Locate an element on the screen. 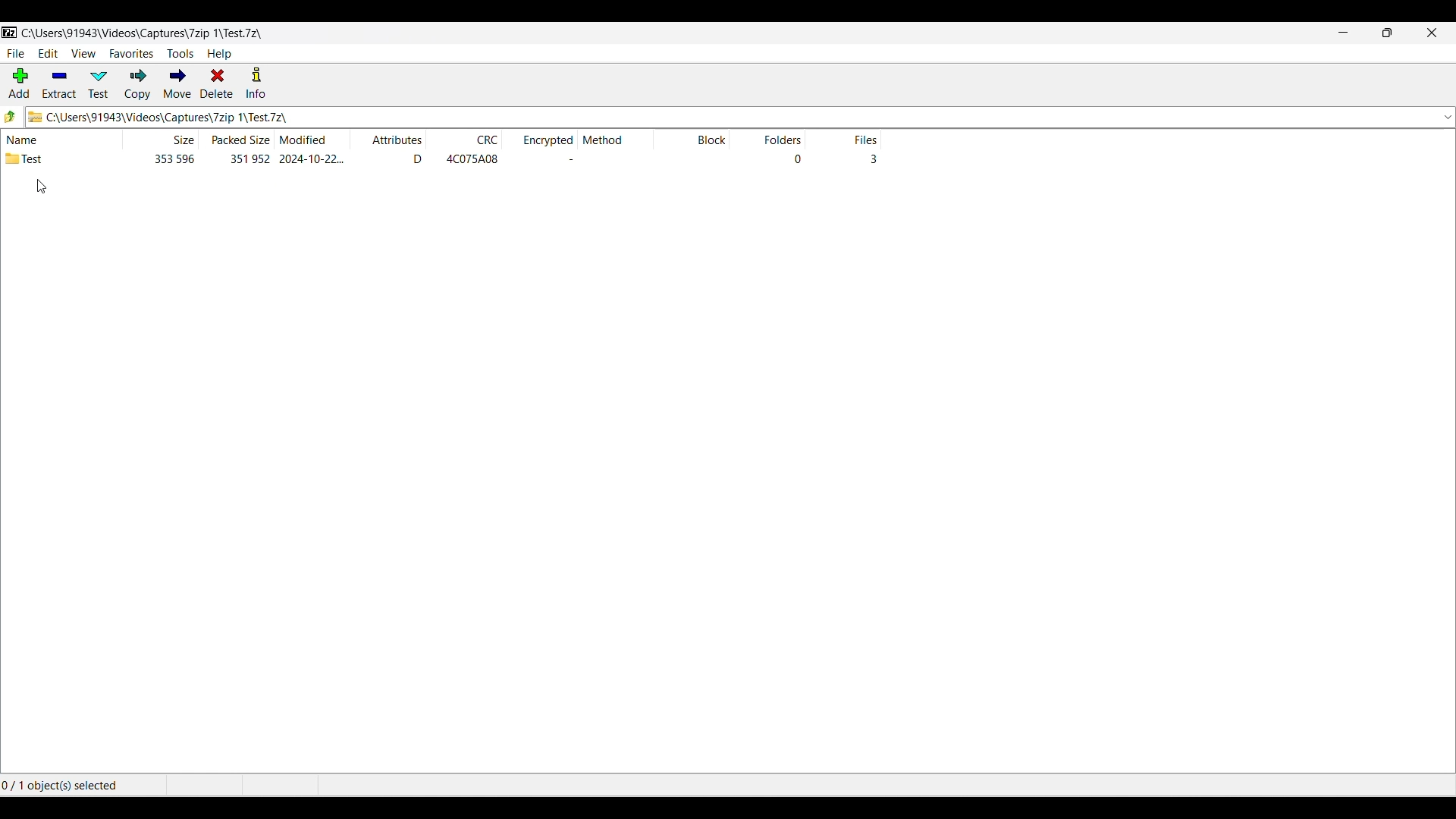 The width and height of the screenshot is (1456, 819). Delete is located at coordinates (217, 83).